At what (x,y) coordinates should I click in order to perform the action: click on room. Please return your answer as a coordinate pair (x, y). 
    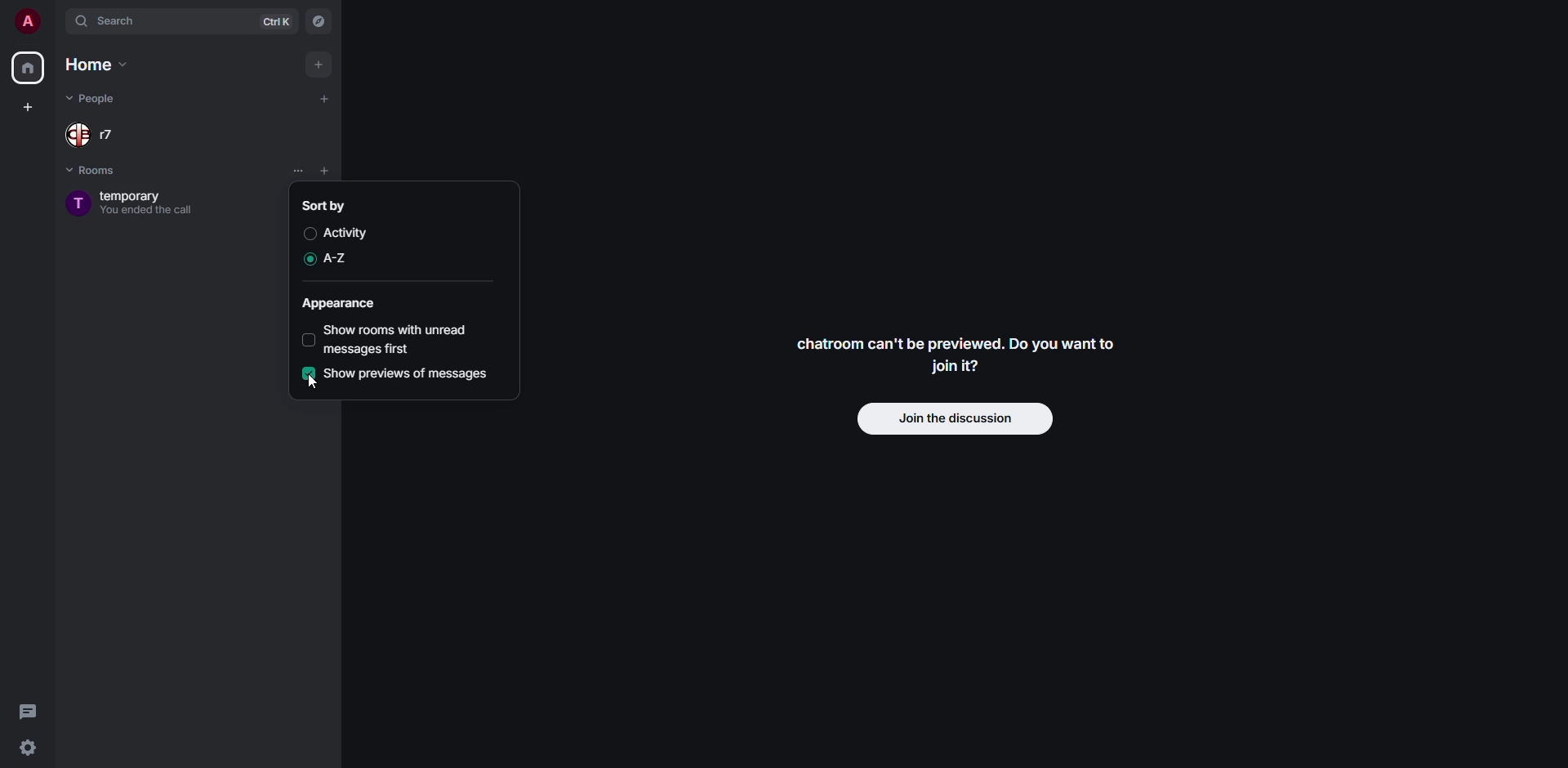
    Looking at the image, I should click on (128, 203).